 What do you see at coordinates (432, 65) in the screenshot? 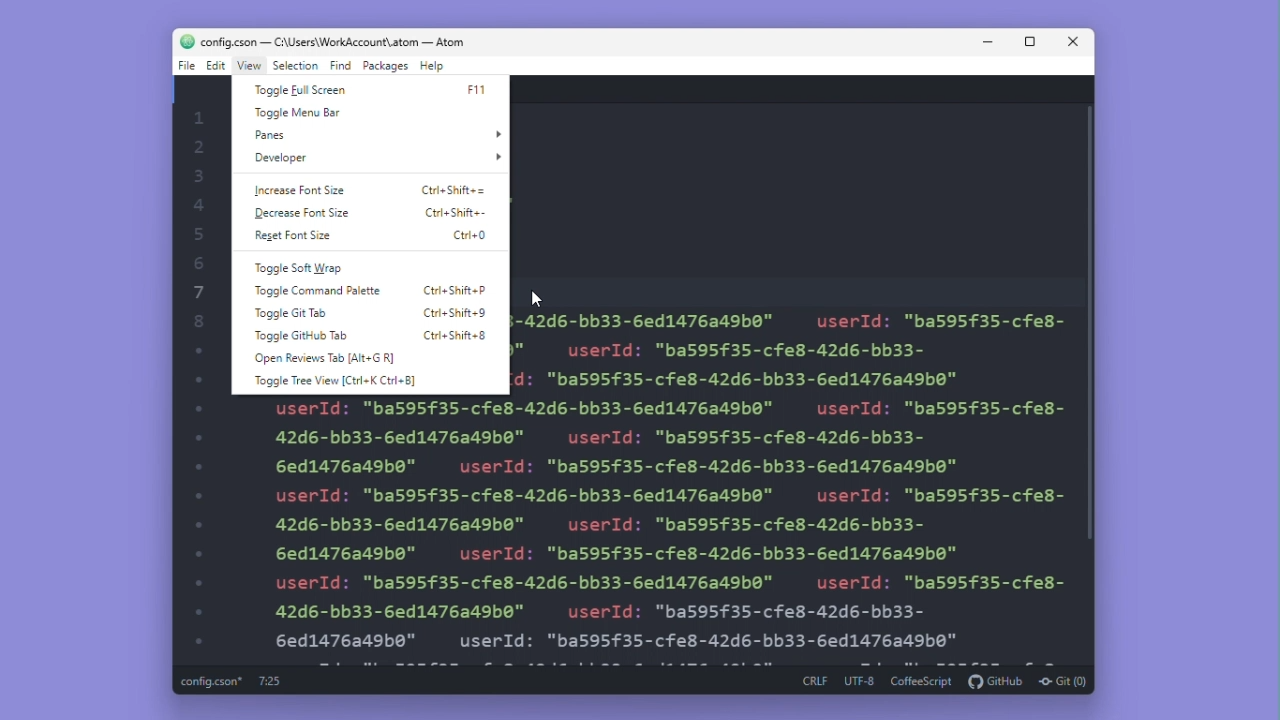
I see `Help` at bounding box center [432, 65].